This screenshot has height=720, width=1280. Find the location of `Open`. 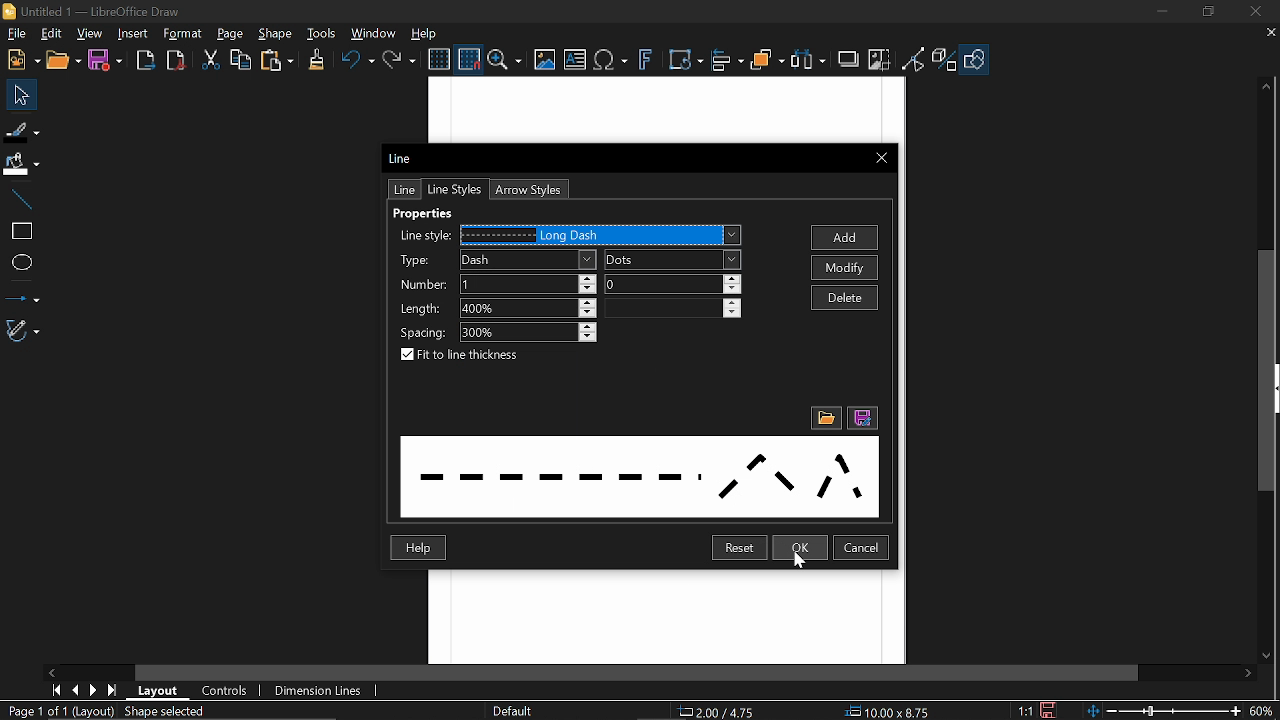

Open is located at coordinates (62, 61).